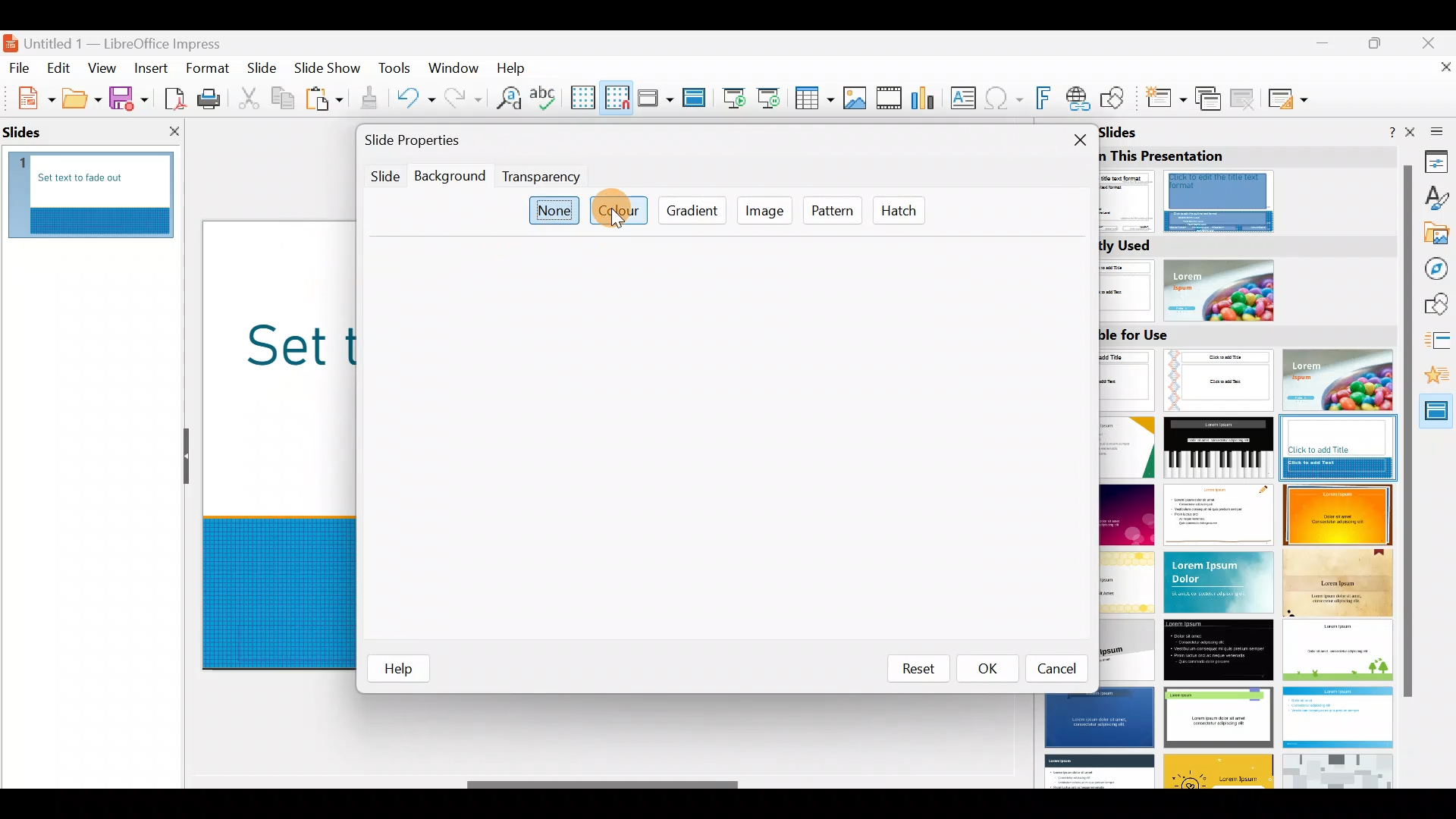 The image size is (1456, 819). What do you see at coordinates (1251, 557) in the screenshot?
I see `Slides available for use` at bounding box center [1251, 557].